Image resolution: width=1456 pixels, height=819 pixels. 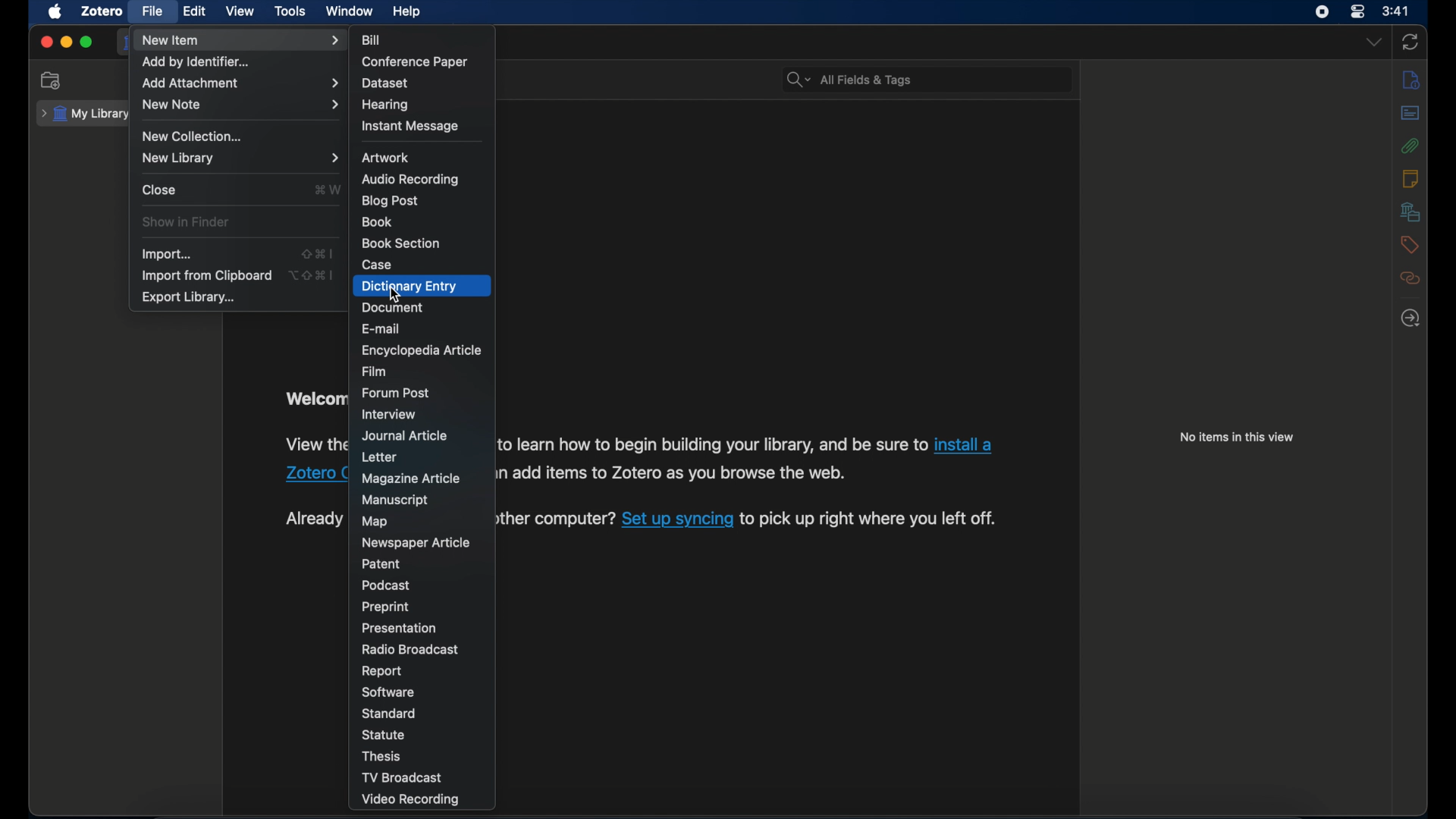 I want to click on all fields & tags, so click(x=850, y=80).